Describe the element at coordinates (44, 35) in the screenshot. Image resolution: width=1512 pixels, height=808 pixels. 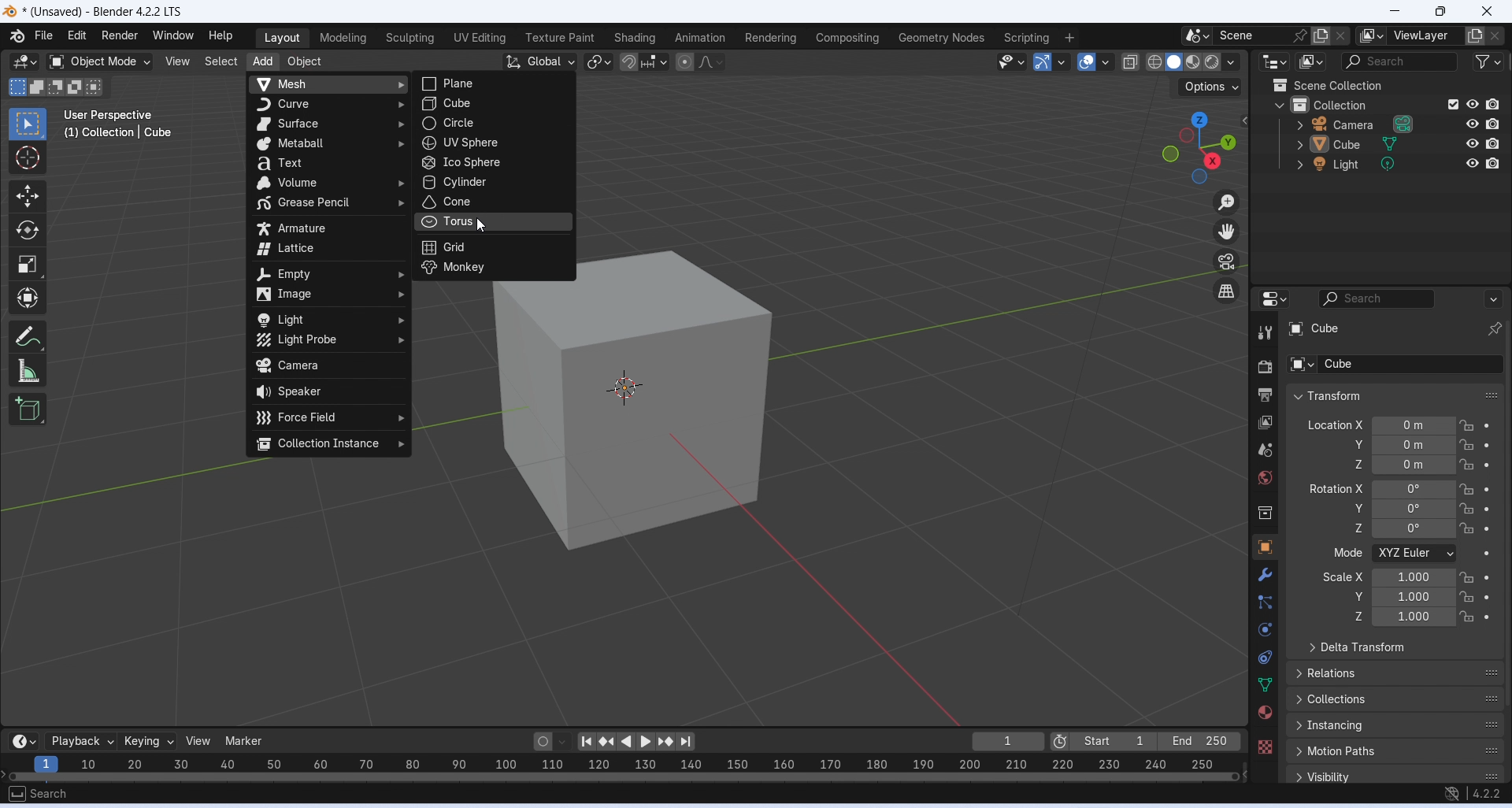
I see `` at that location.